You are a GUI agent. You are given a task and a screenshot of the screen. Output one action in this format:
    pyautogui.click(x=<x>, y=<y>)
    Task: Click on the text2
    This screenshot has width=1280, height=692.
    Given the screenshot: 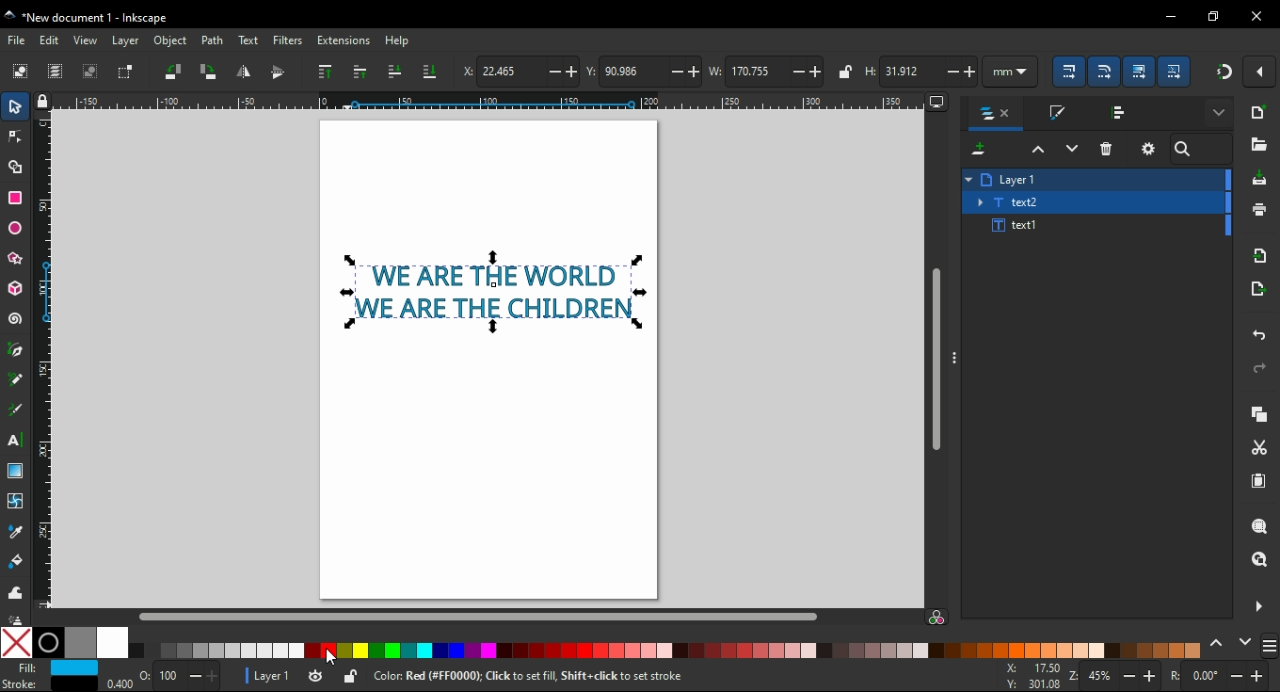 What is the action you would take?
    pyautogui.click(x=1011, y=202)
    